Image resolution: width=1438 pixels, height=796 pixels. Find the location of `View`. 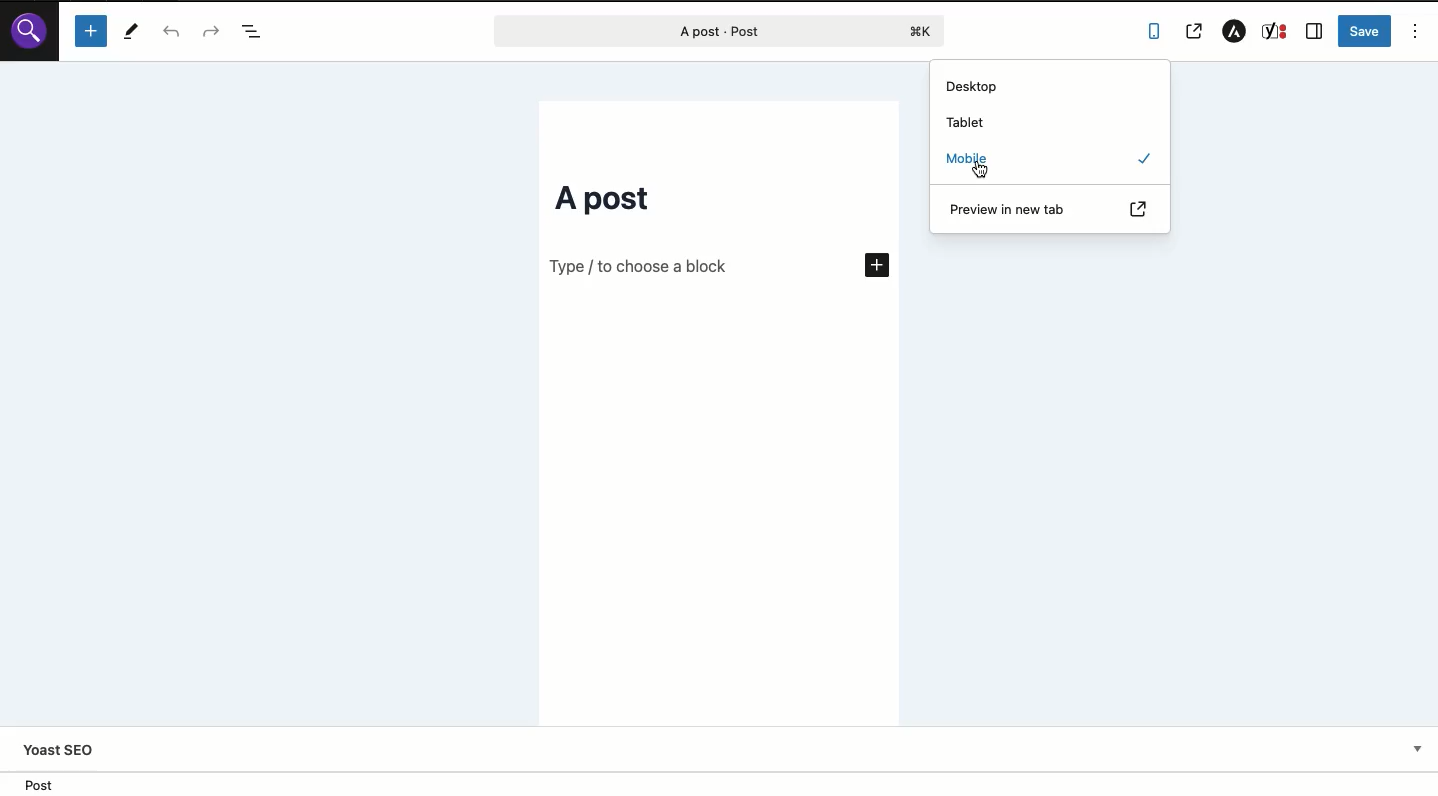

View is located at coordinates (1157, 33).